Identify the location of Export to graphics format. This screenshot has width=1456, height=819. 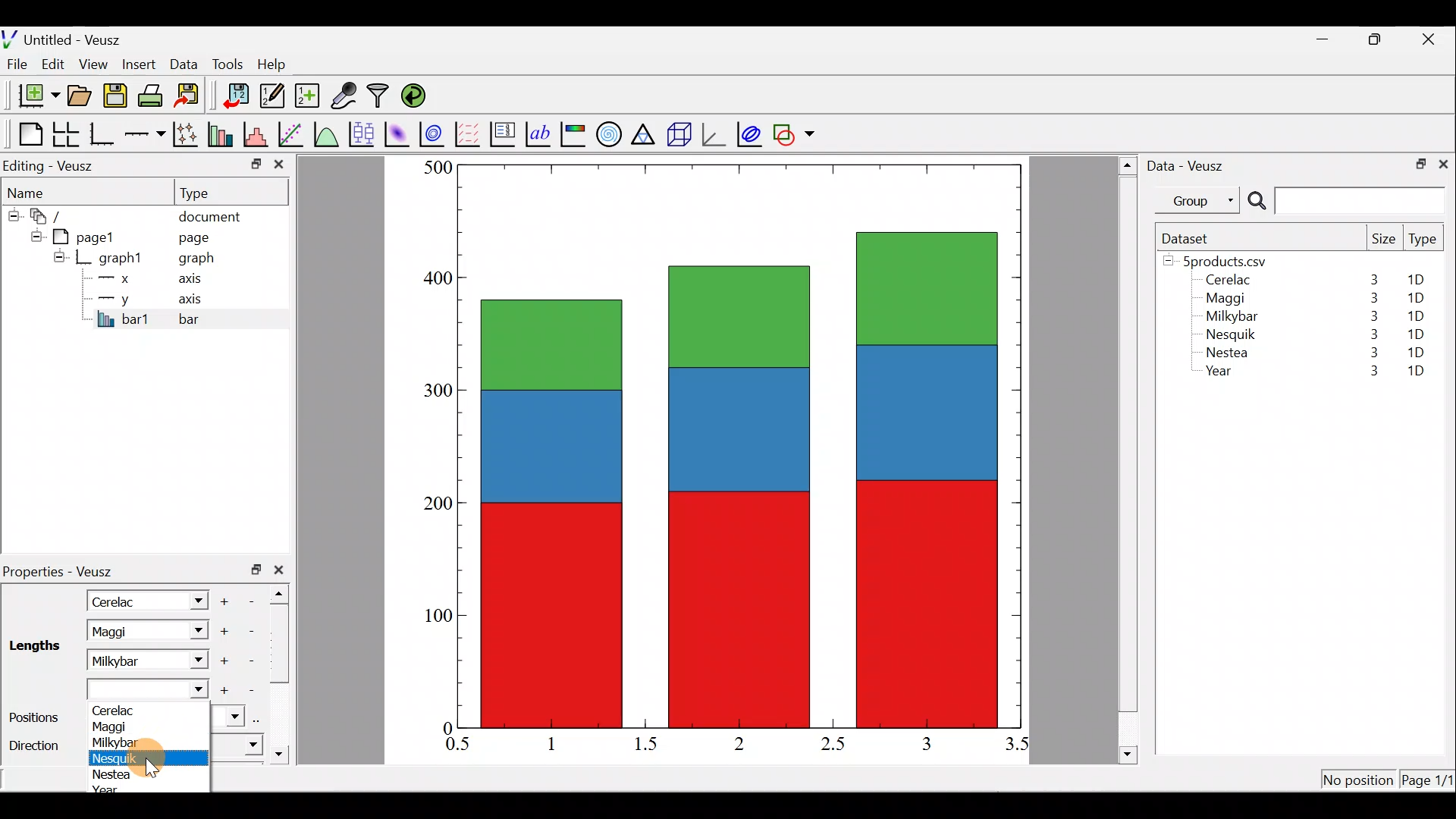
(192, 96).